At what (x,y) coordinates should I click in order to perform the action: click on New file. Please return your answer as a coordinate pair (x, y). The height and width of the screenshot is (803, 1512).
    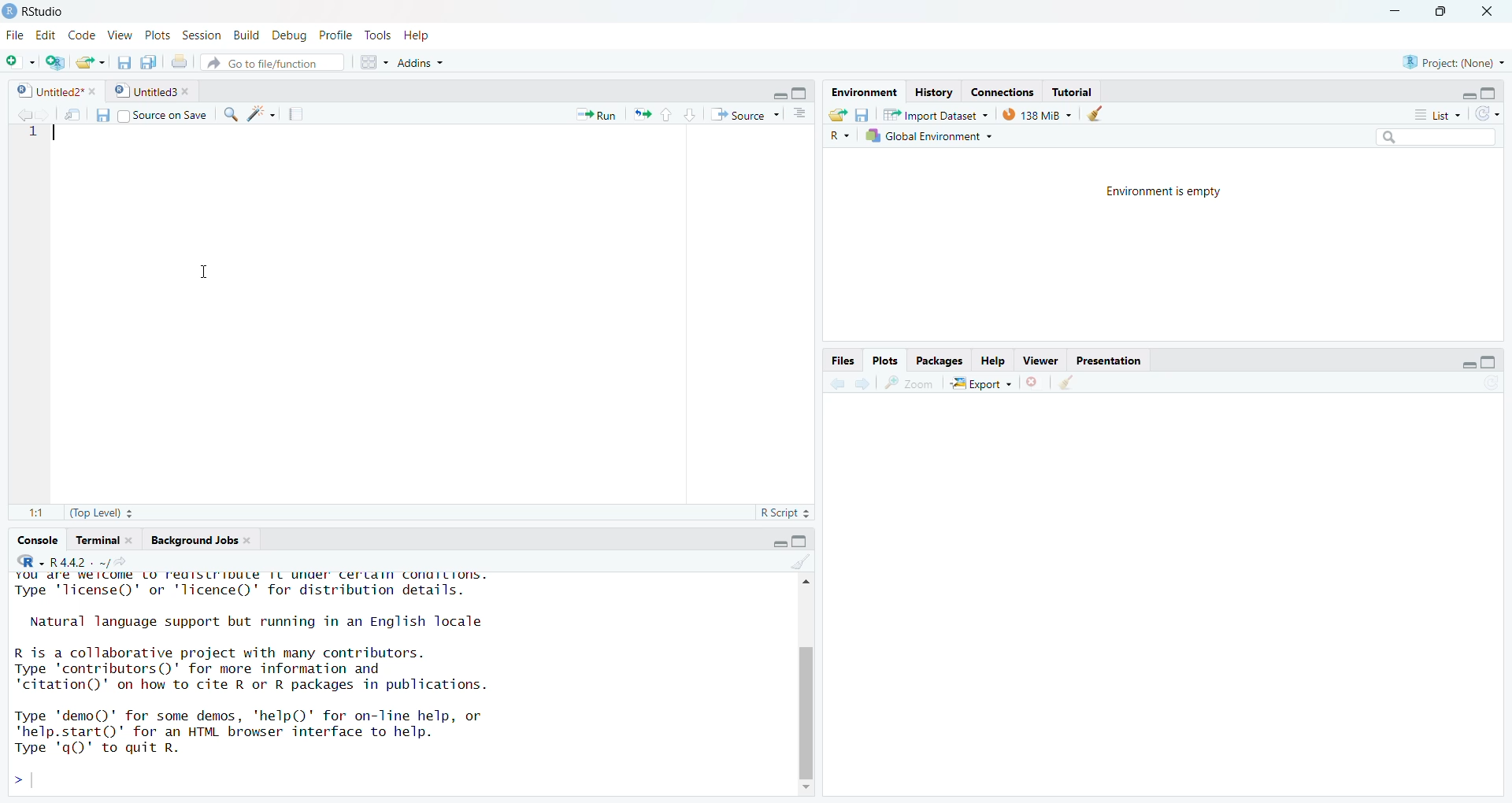
    Looking at the image, I should click on (92, 60).